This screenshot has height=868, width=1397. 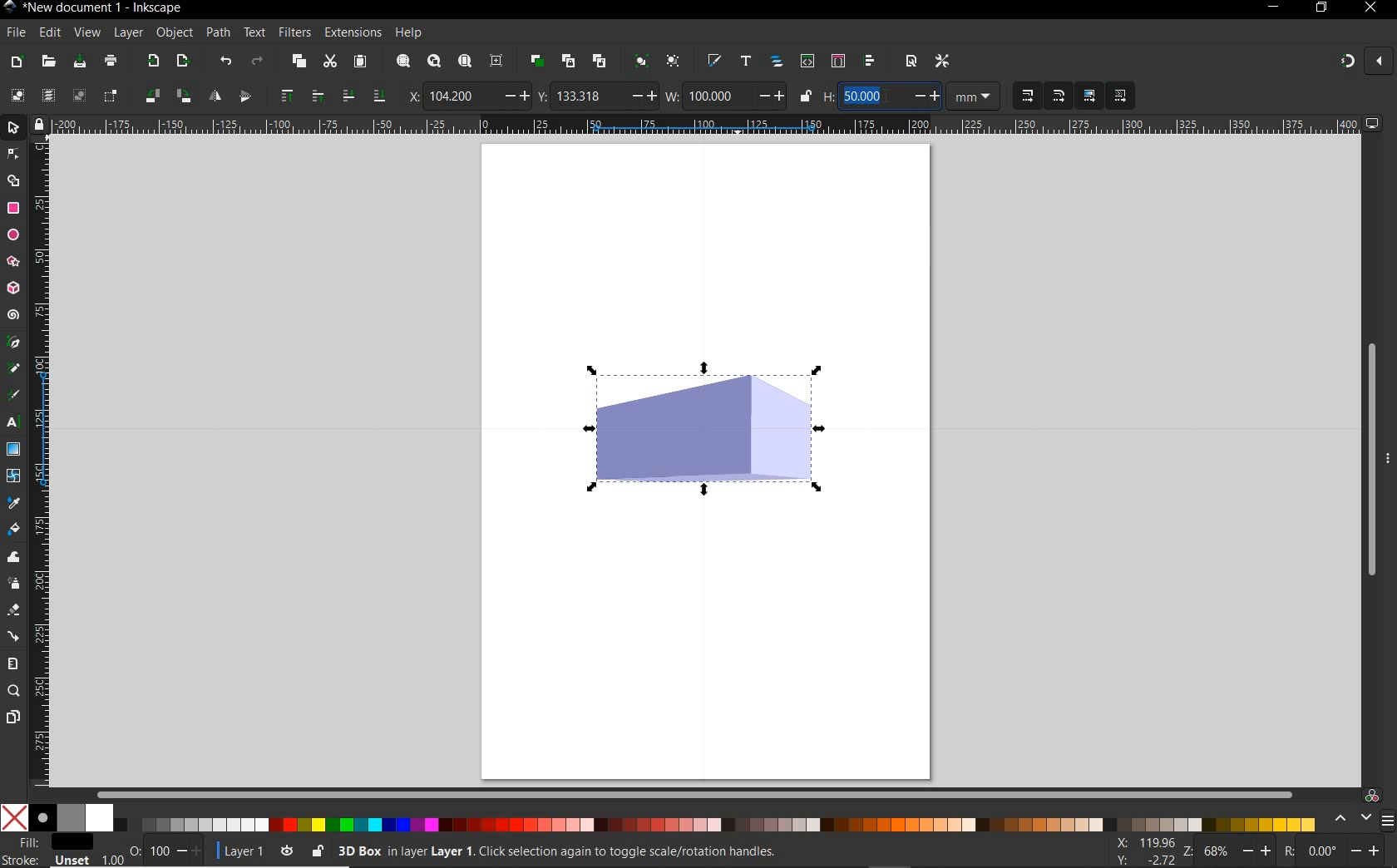 What do you see at coordinates (128, 33) in the screenshot?
I see `layer` at bounding box center [128, 33].